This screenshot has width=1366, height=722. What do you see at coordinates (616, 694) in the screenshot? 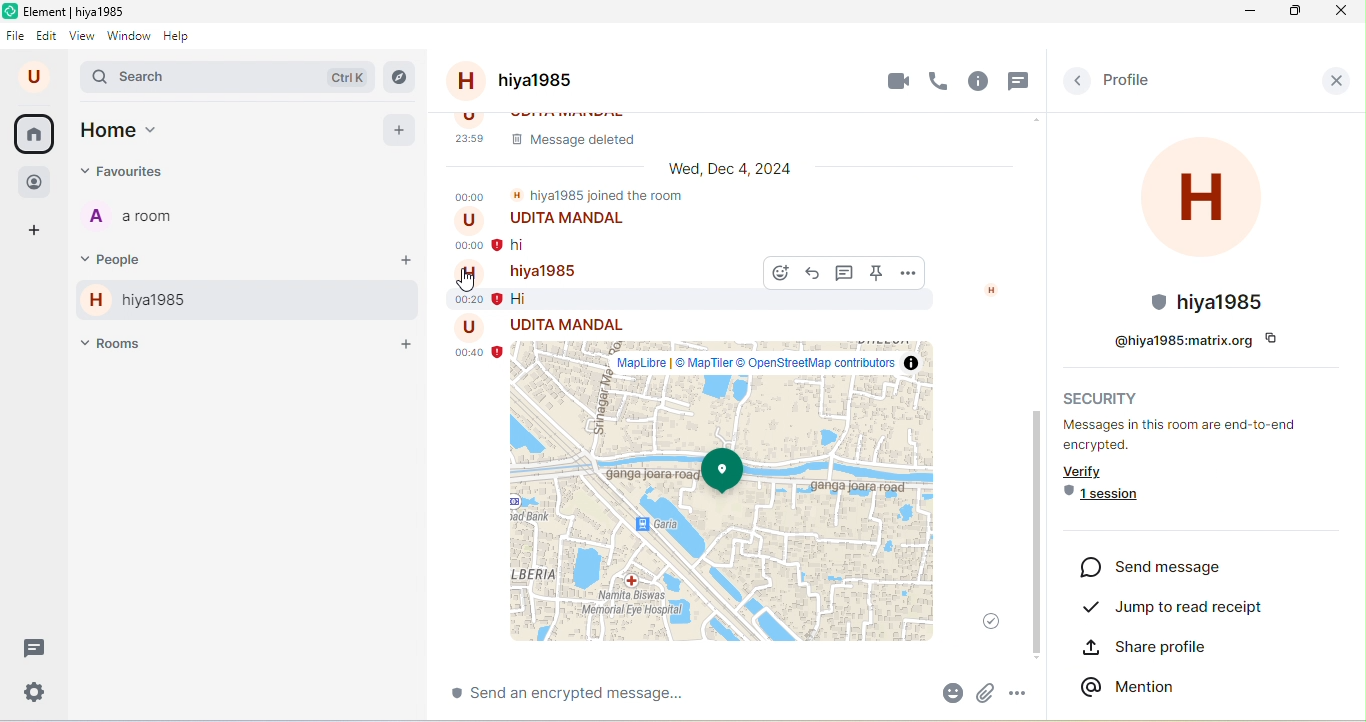
I see `send encrypted message` at bounding box center [616, 694].